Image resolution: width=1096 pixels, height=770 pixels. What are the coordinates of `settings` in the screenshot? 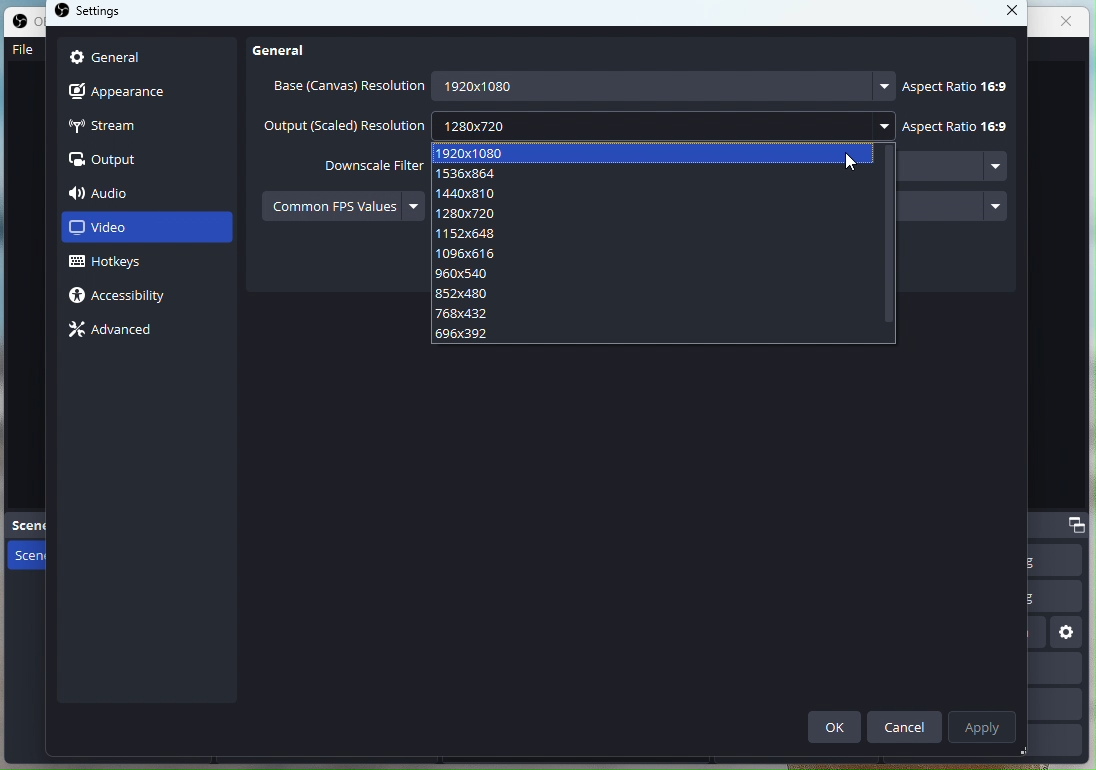 It's located at (108, 14).